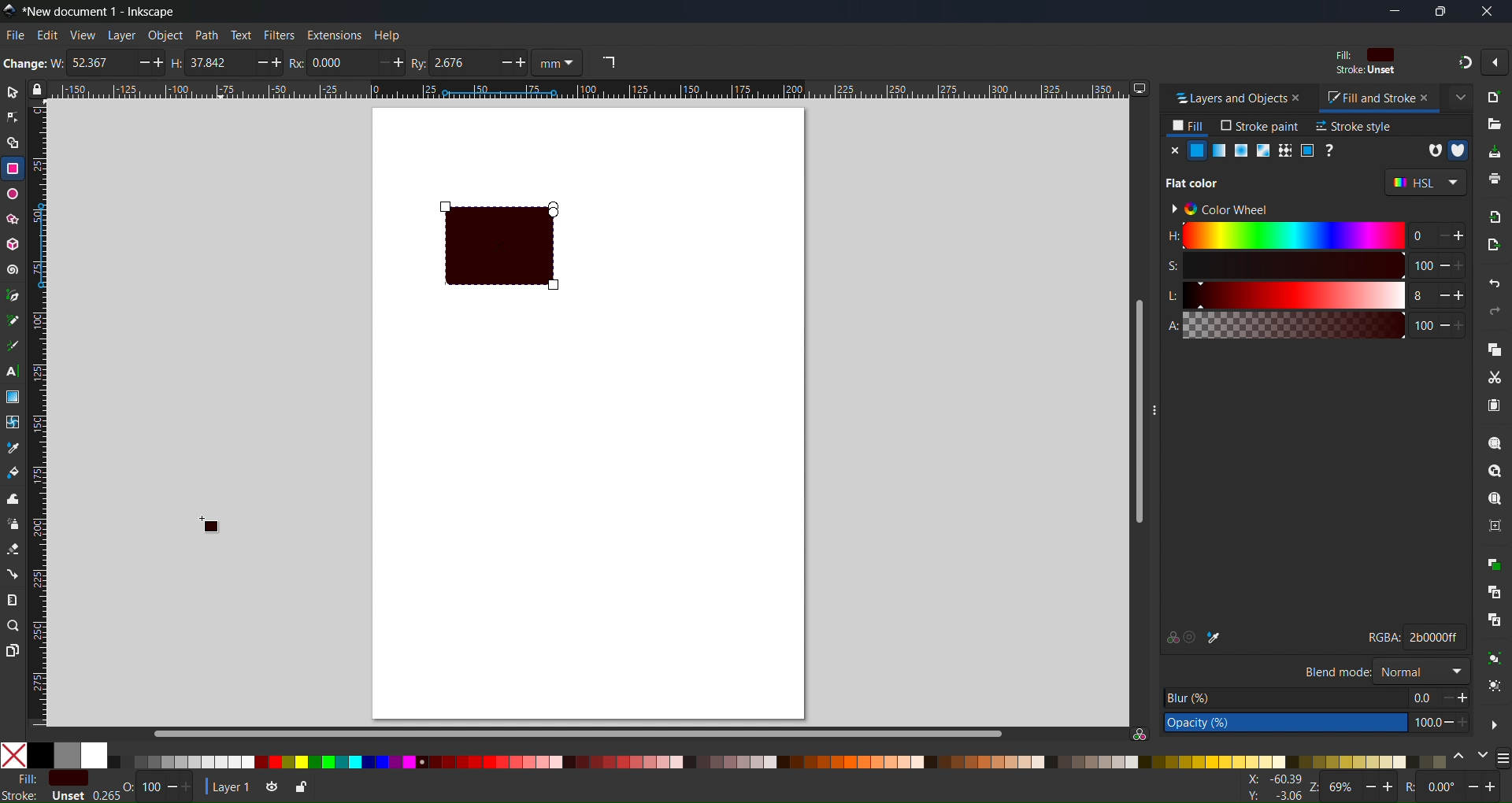 This screenshot has width=1512, height=803. What do you see at coordinates (13, 219) in the screenshot?
I see `star/ Polygon tool` at bounding box center [13, 219].